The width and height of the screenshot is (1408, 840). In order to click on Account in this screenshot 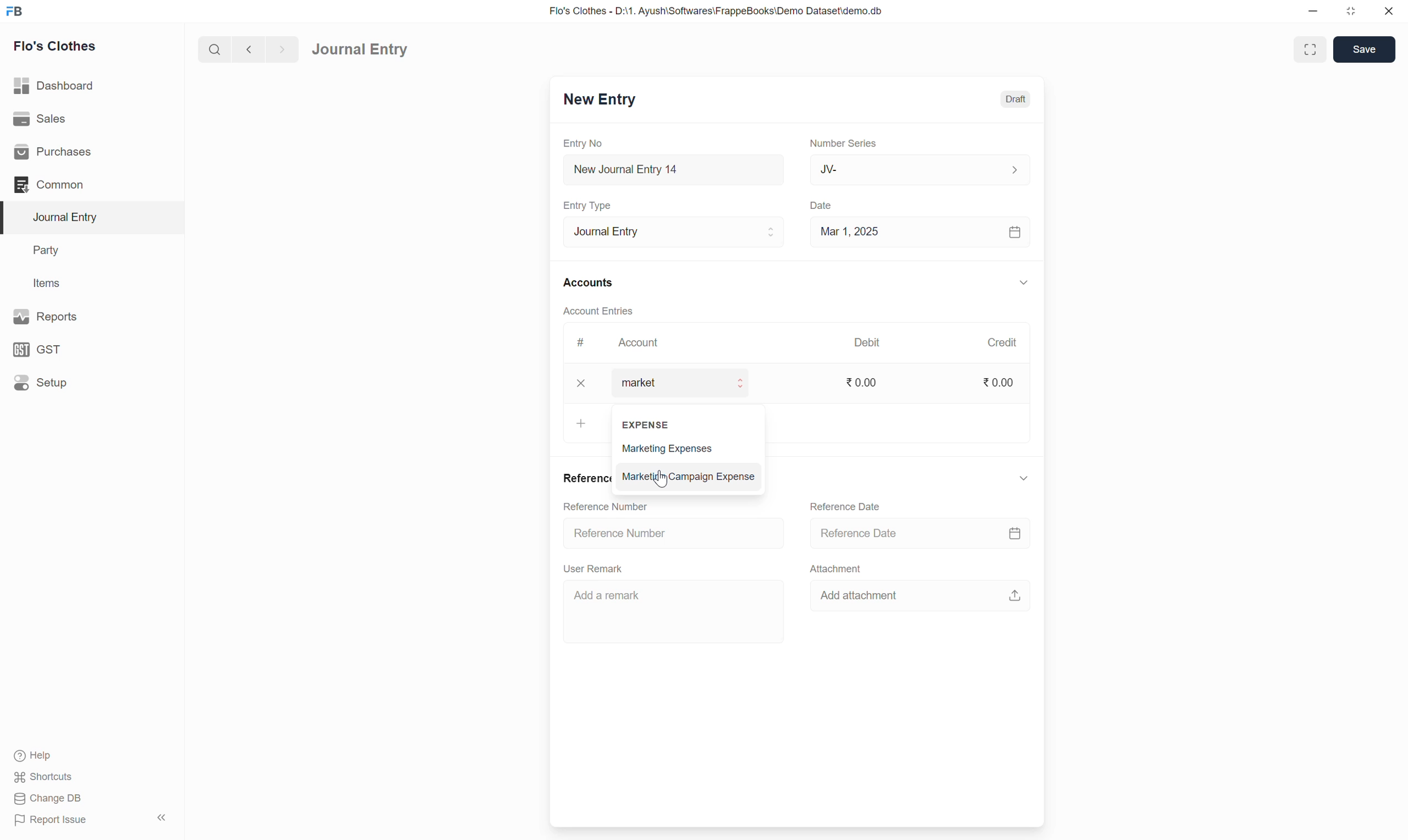, I will do `click(688, 383)`.